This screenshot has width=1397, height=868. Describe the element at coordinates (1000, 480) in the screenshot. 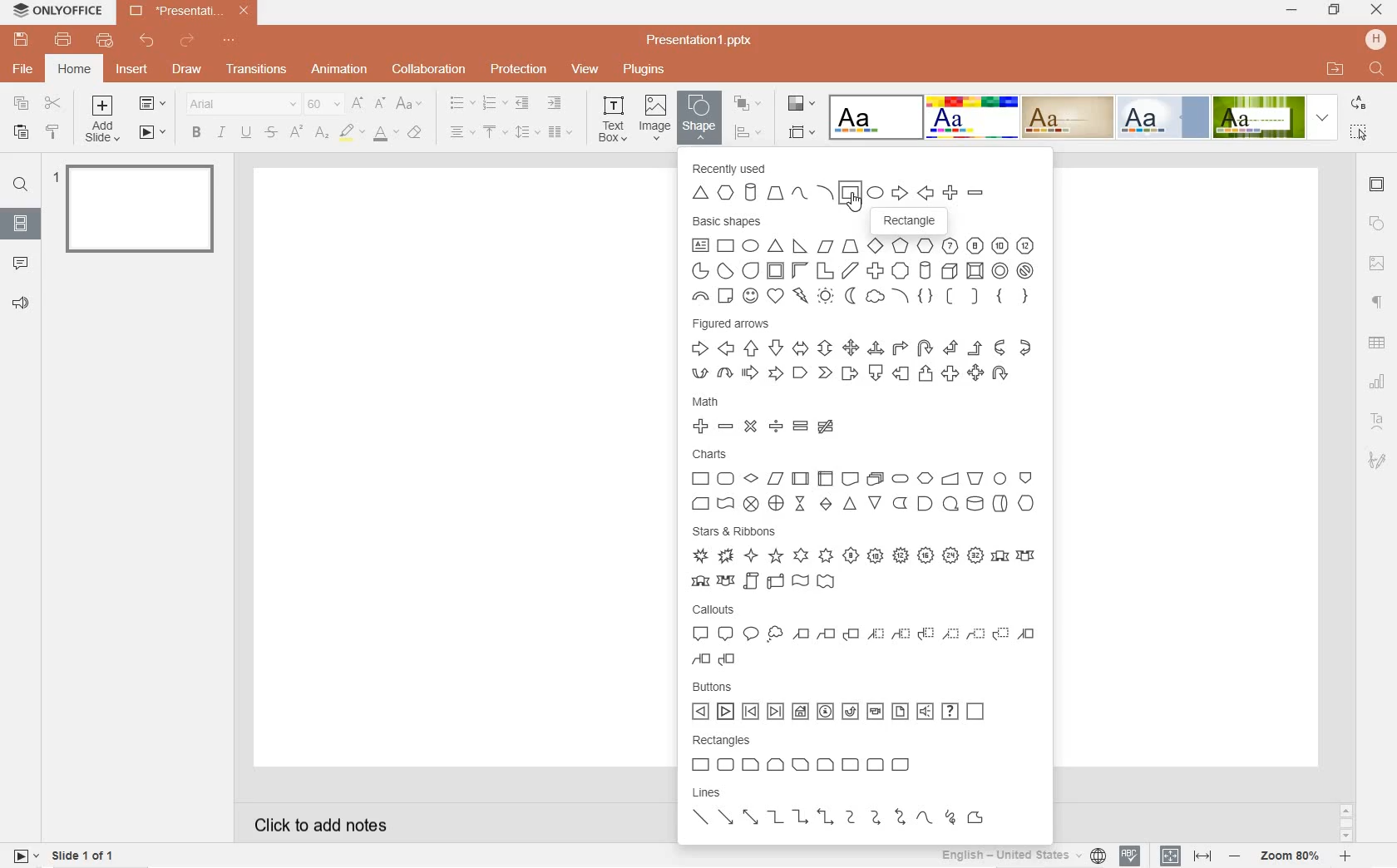

I see `Connector` at that location.